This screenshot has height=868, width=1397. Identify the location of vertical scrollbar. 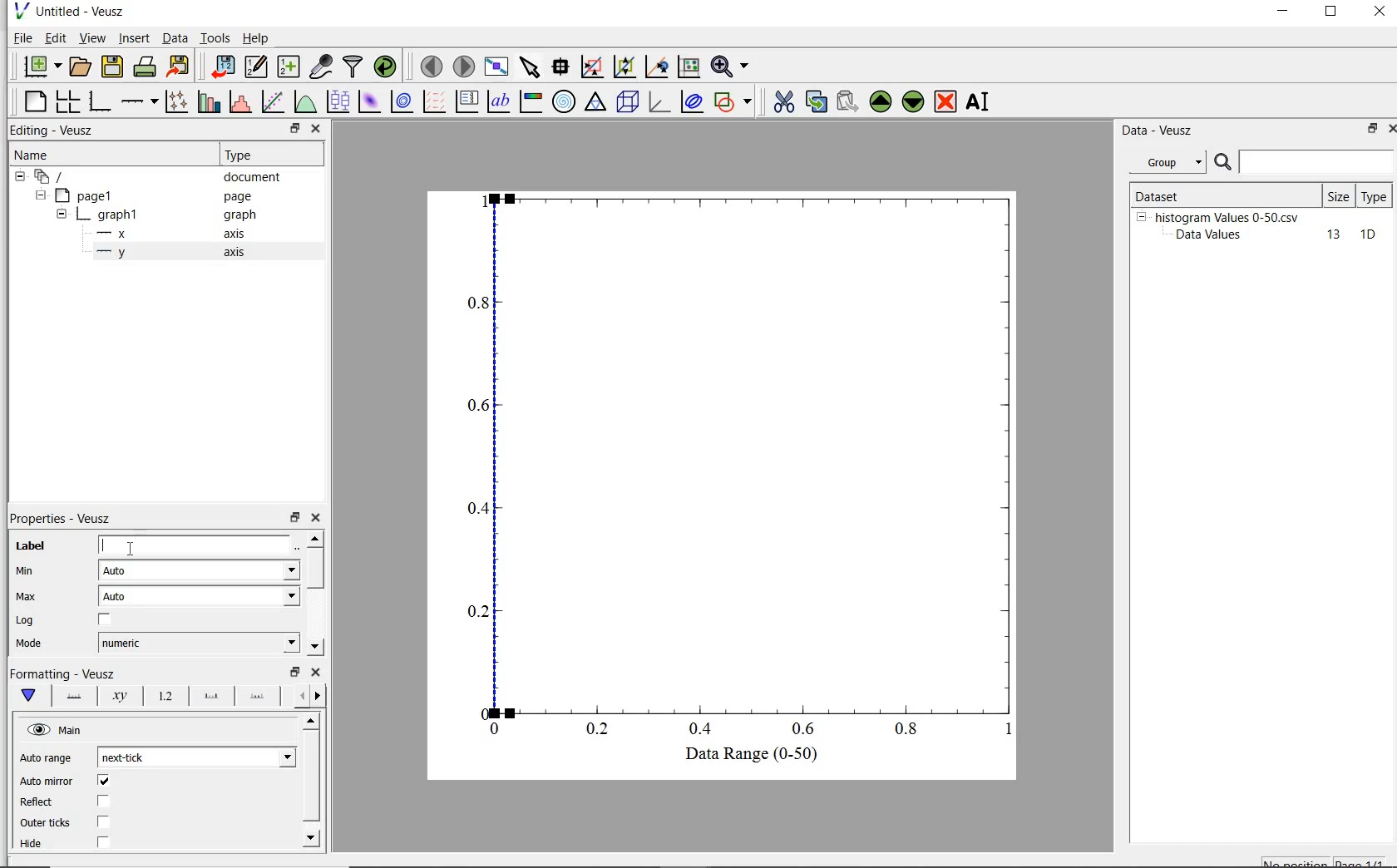
(310, 777).